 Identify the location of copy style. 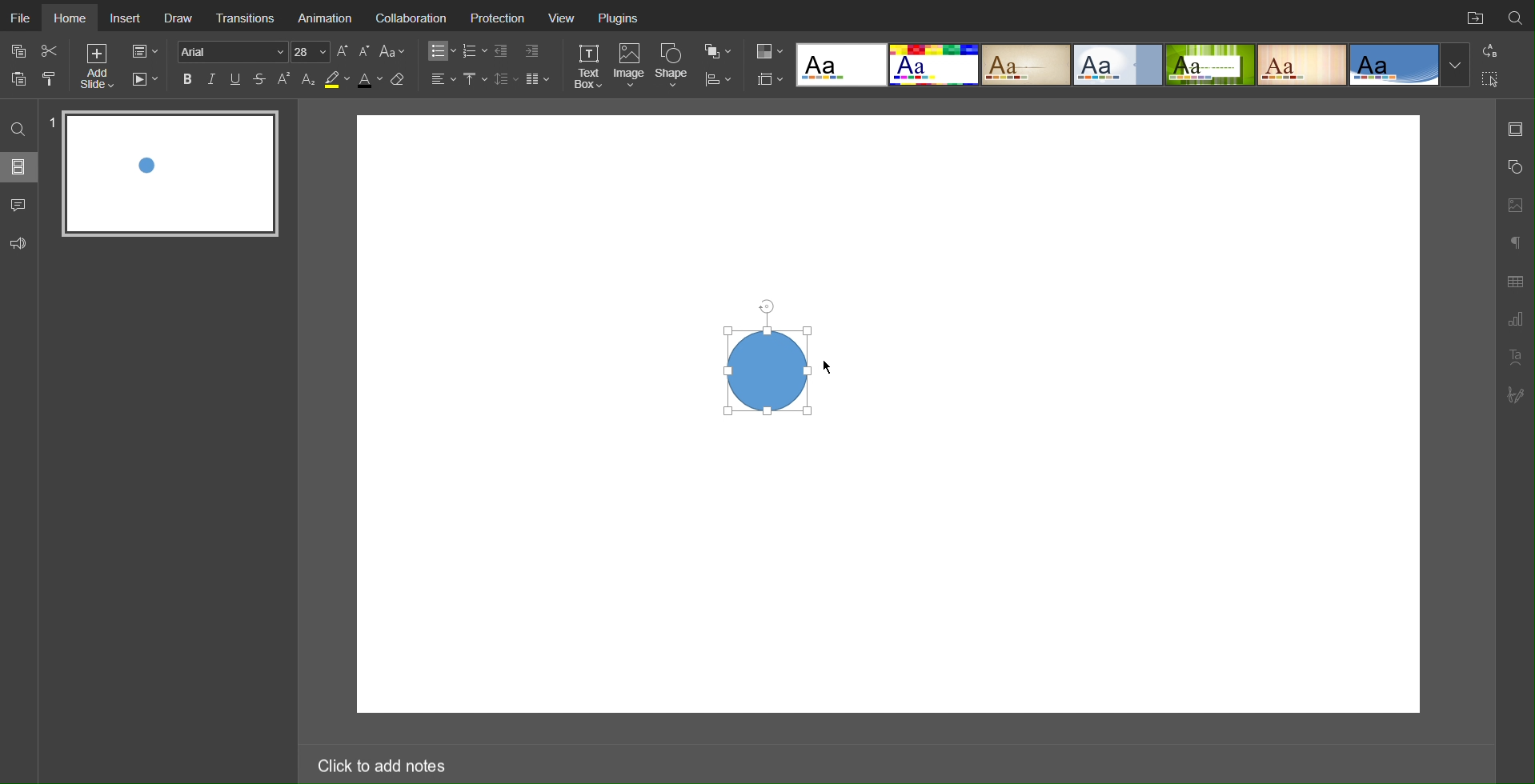
(55, 78).